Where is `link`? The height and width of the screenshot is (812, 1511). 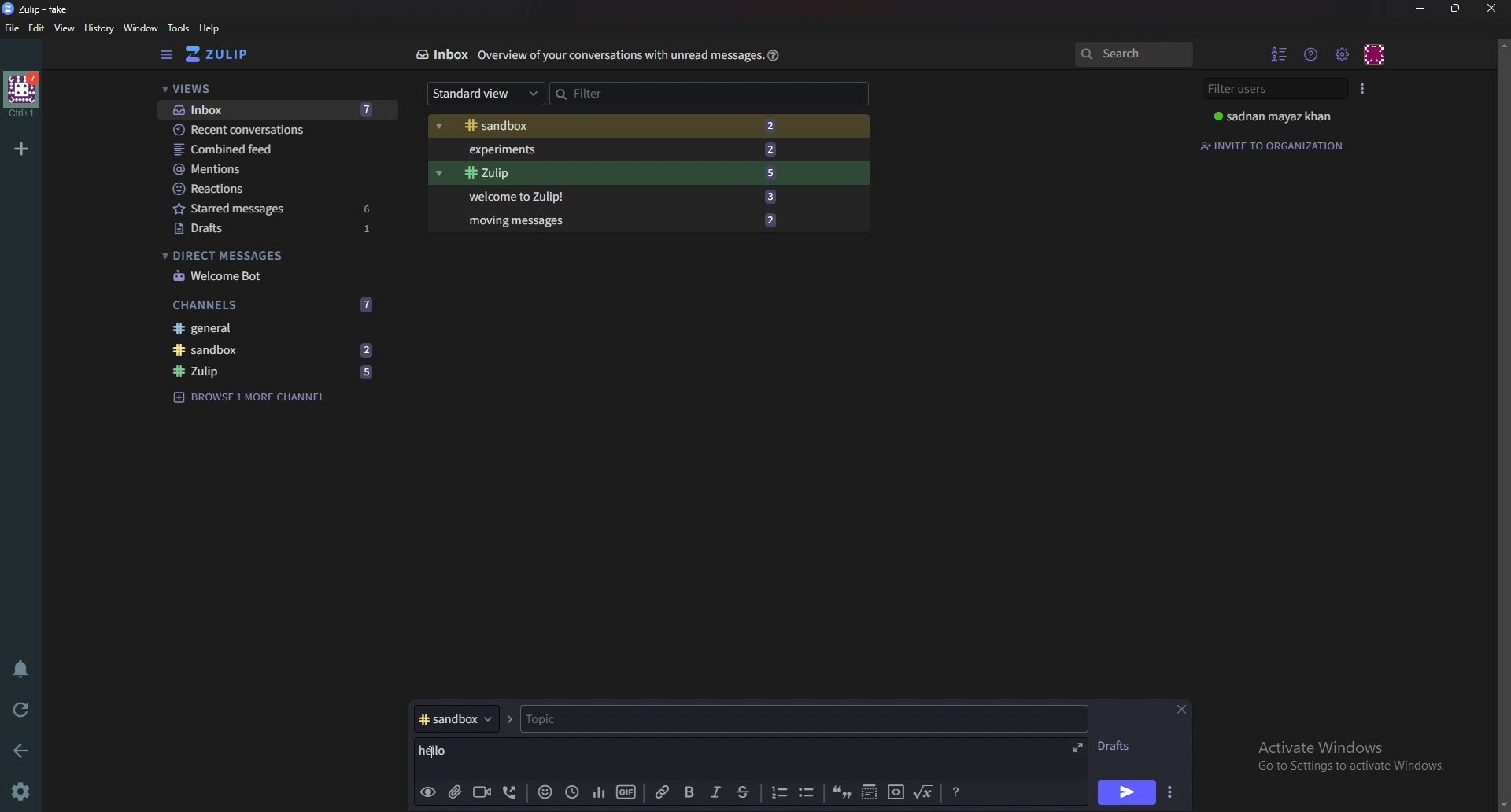
link is located at coordinates (663, 792).